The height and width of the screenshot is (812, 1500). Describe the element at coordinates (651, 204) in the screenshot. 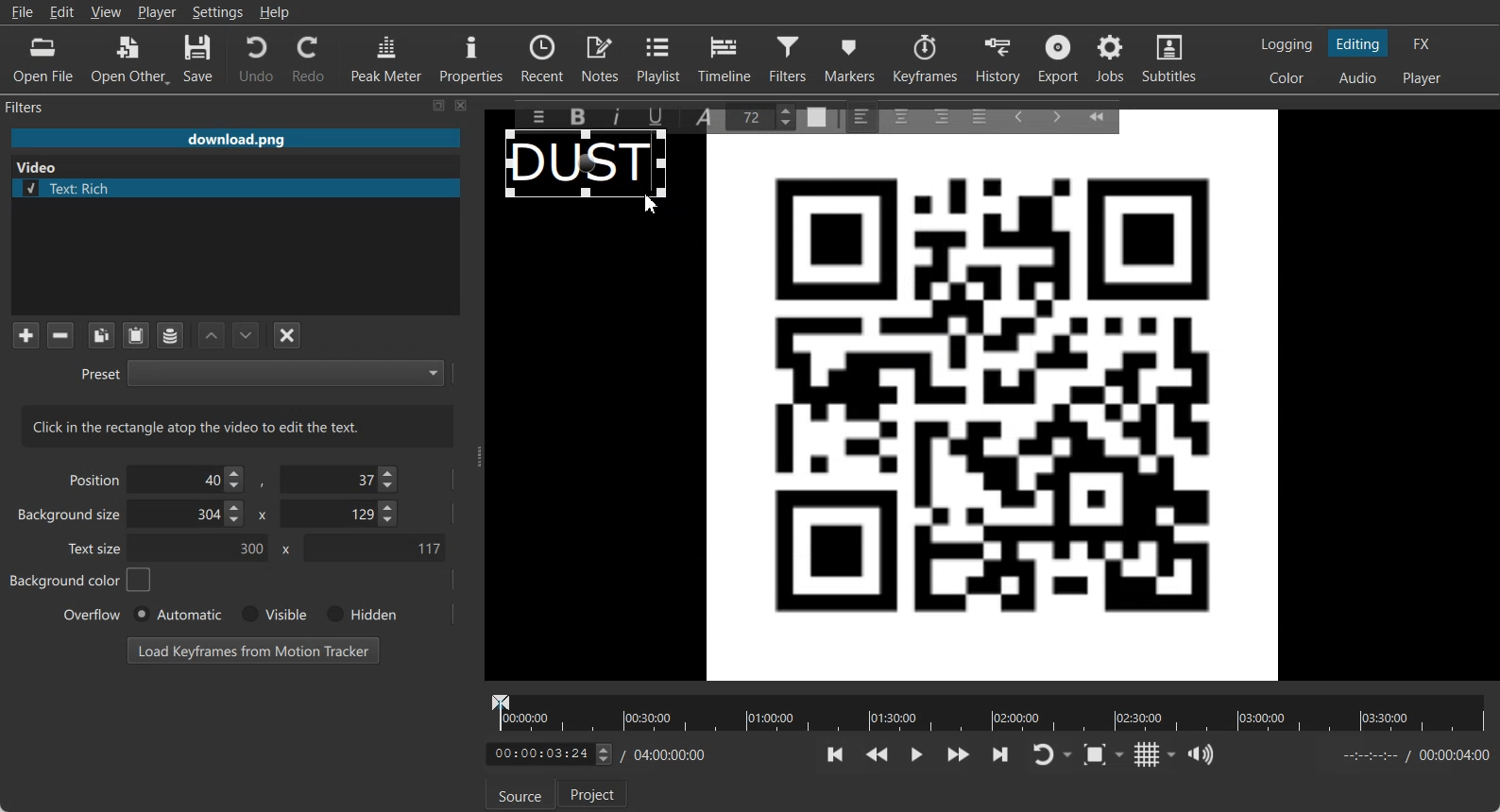

I see `Cursor` at that location.